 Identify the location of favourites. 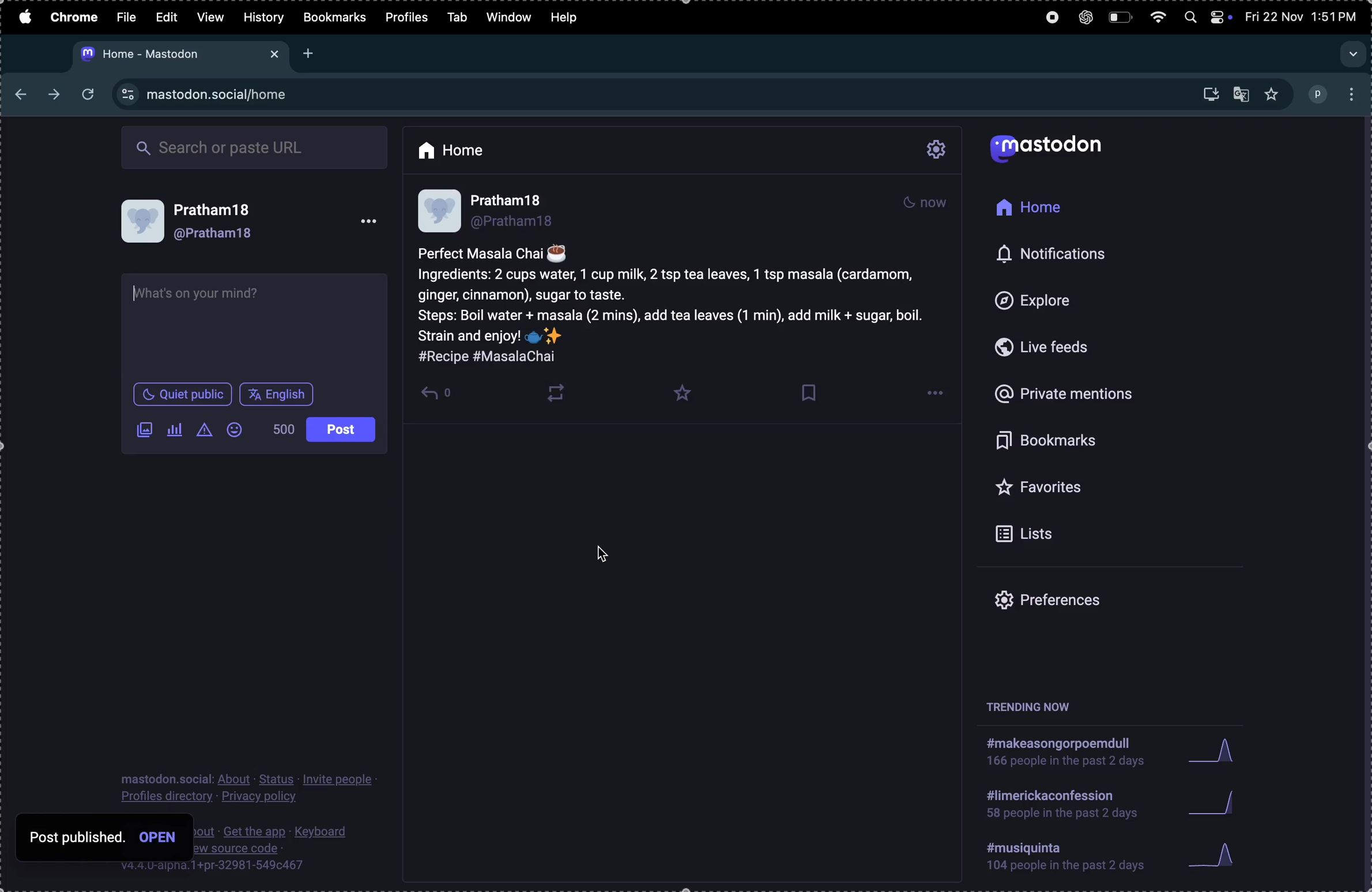
(1272, 95).